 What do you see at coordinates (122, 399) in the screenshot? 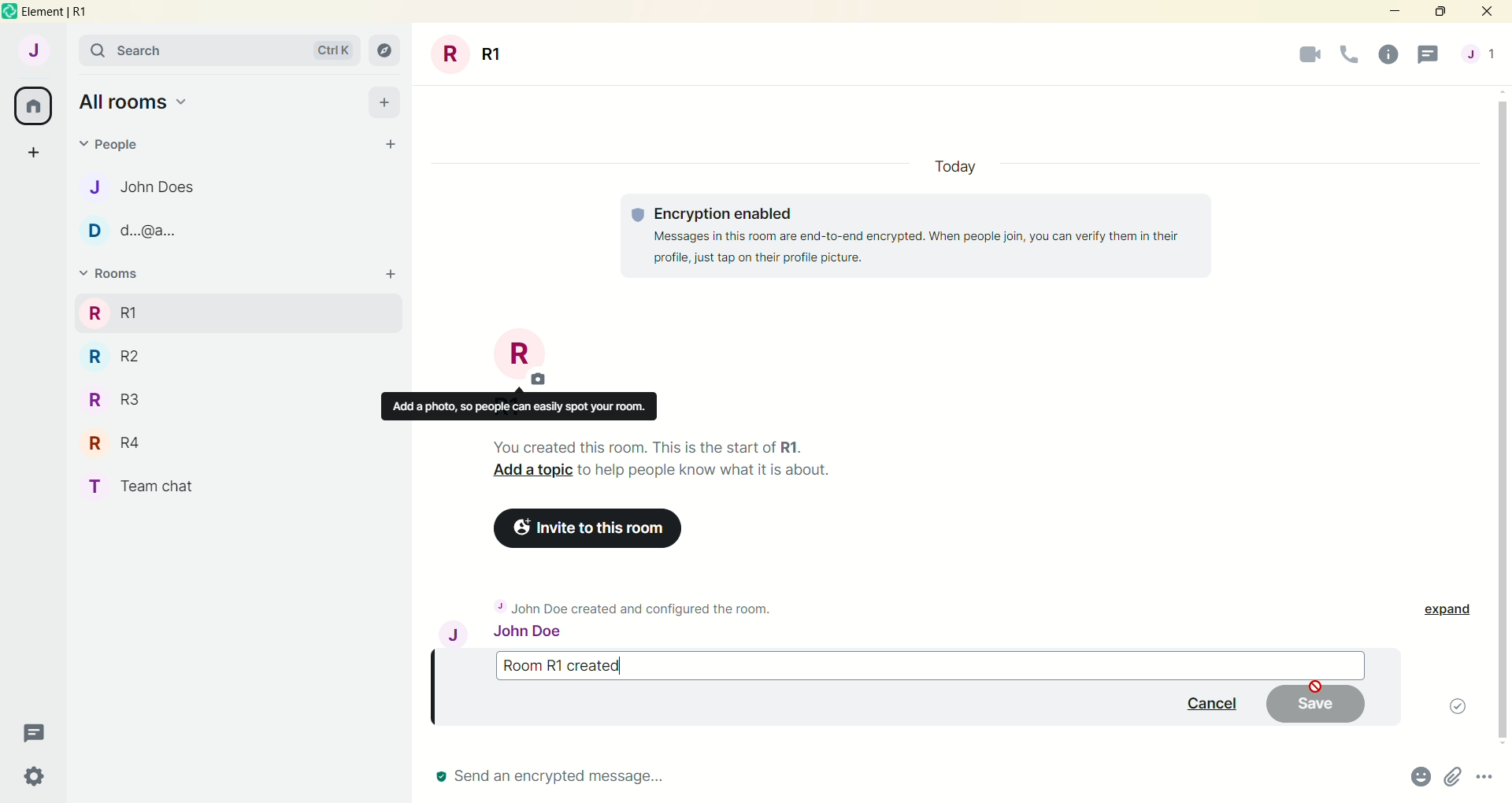
I see `R R3` at bounding box center [122, 399].